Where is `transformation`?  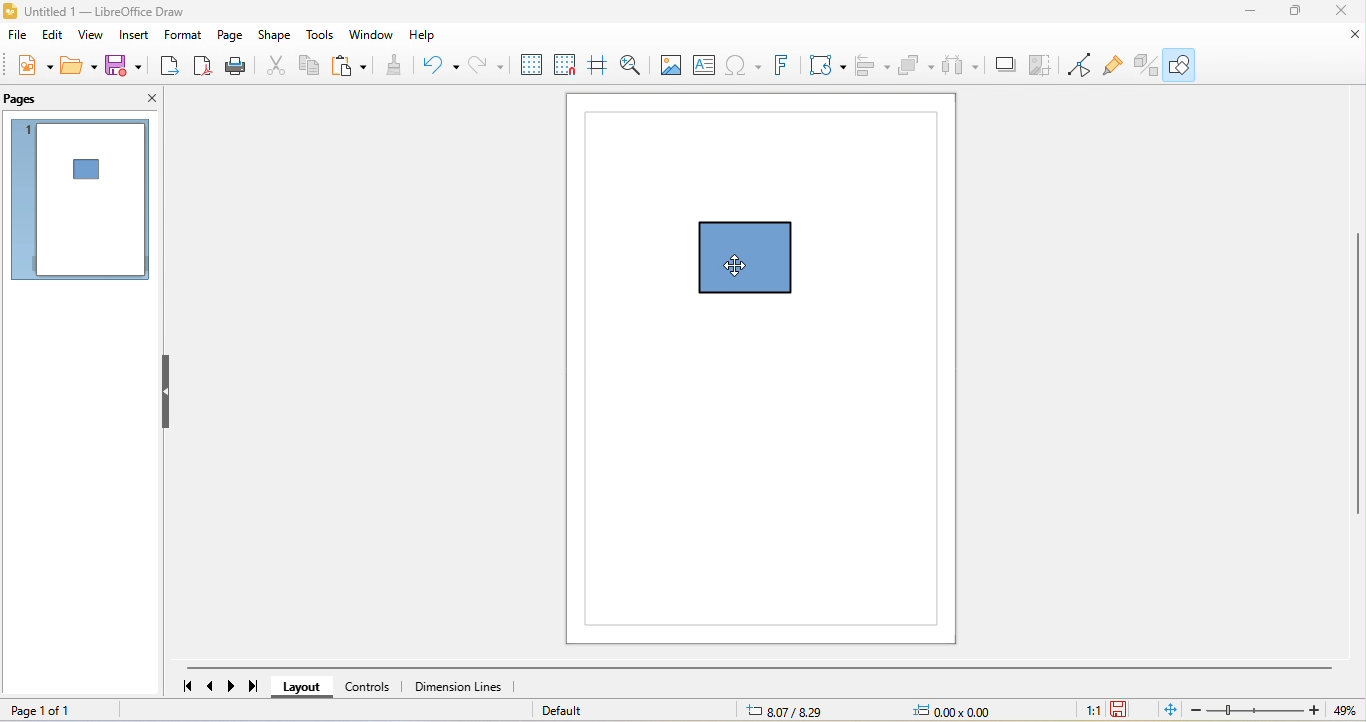
transformation is located at coordinates (824, 65).